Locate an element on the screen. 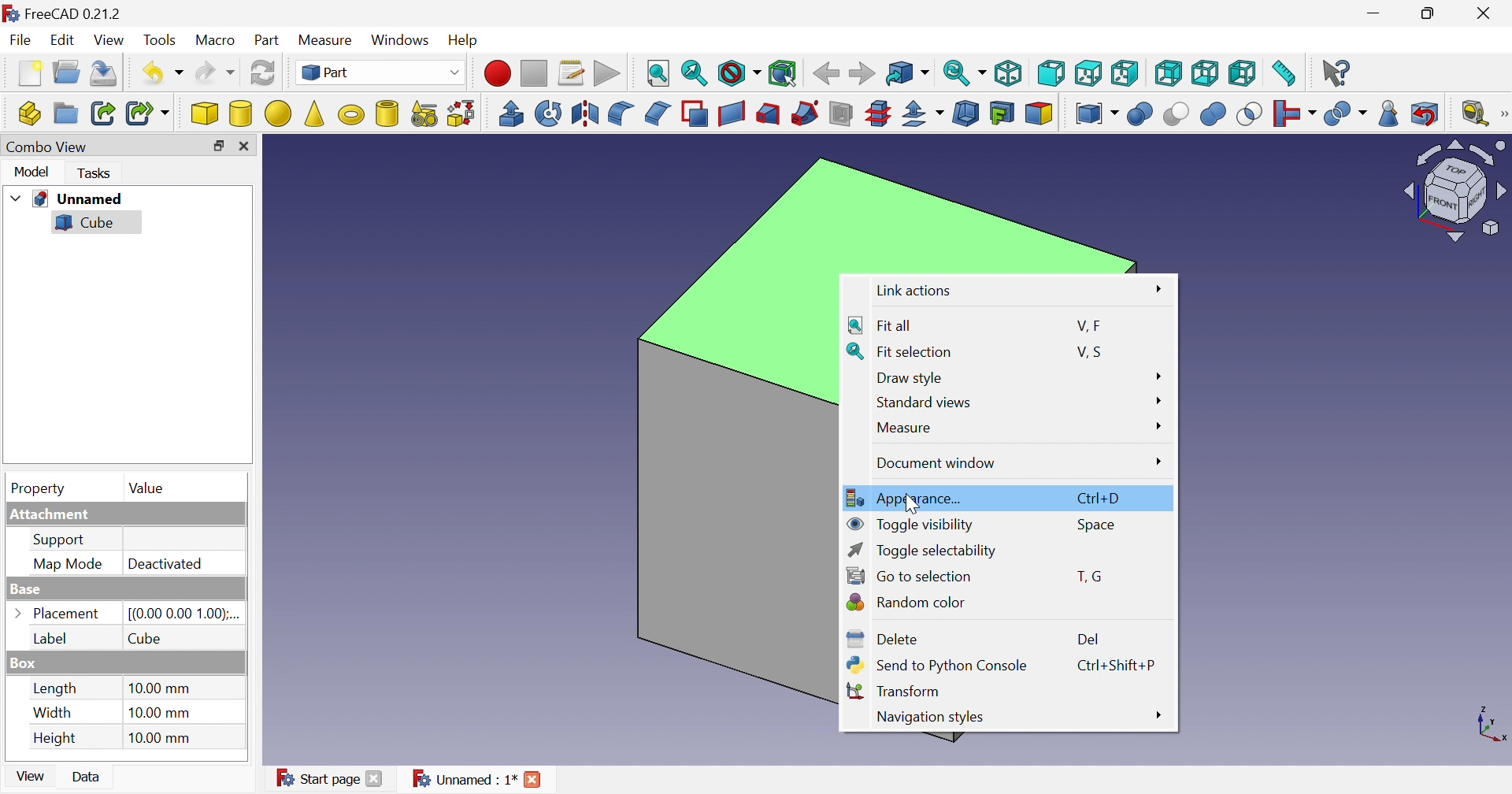 This screenshot has height=794, width=1512. Transform is located at coordinates (898, 690).